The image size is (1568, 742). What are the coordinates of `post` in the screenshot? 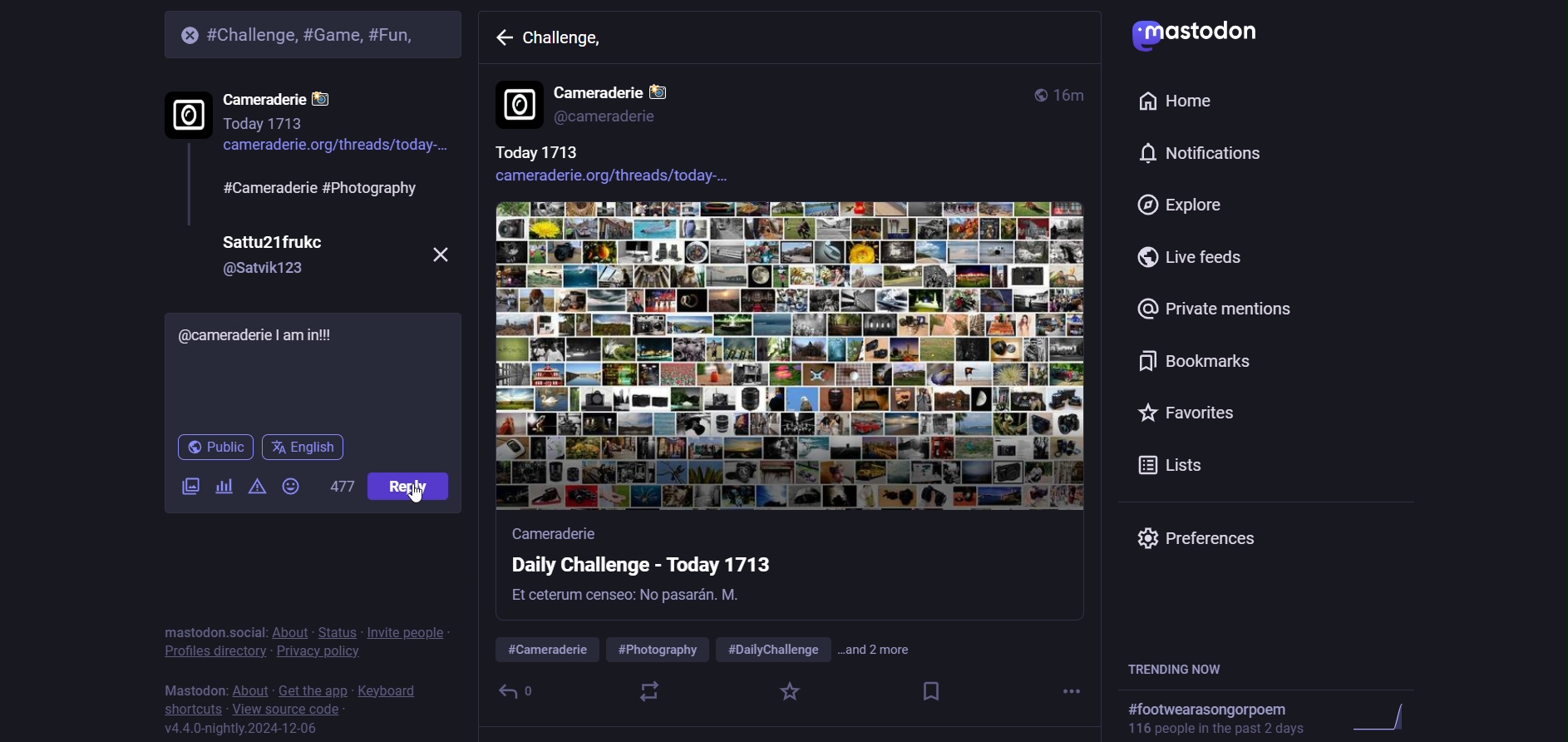 It's located at (408, 487).